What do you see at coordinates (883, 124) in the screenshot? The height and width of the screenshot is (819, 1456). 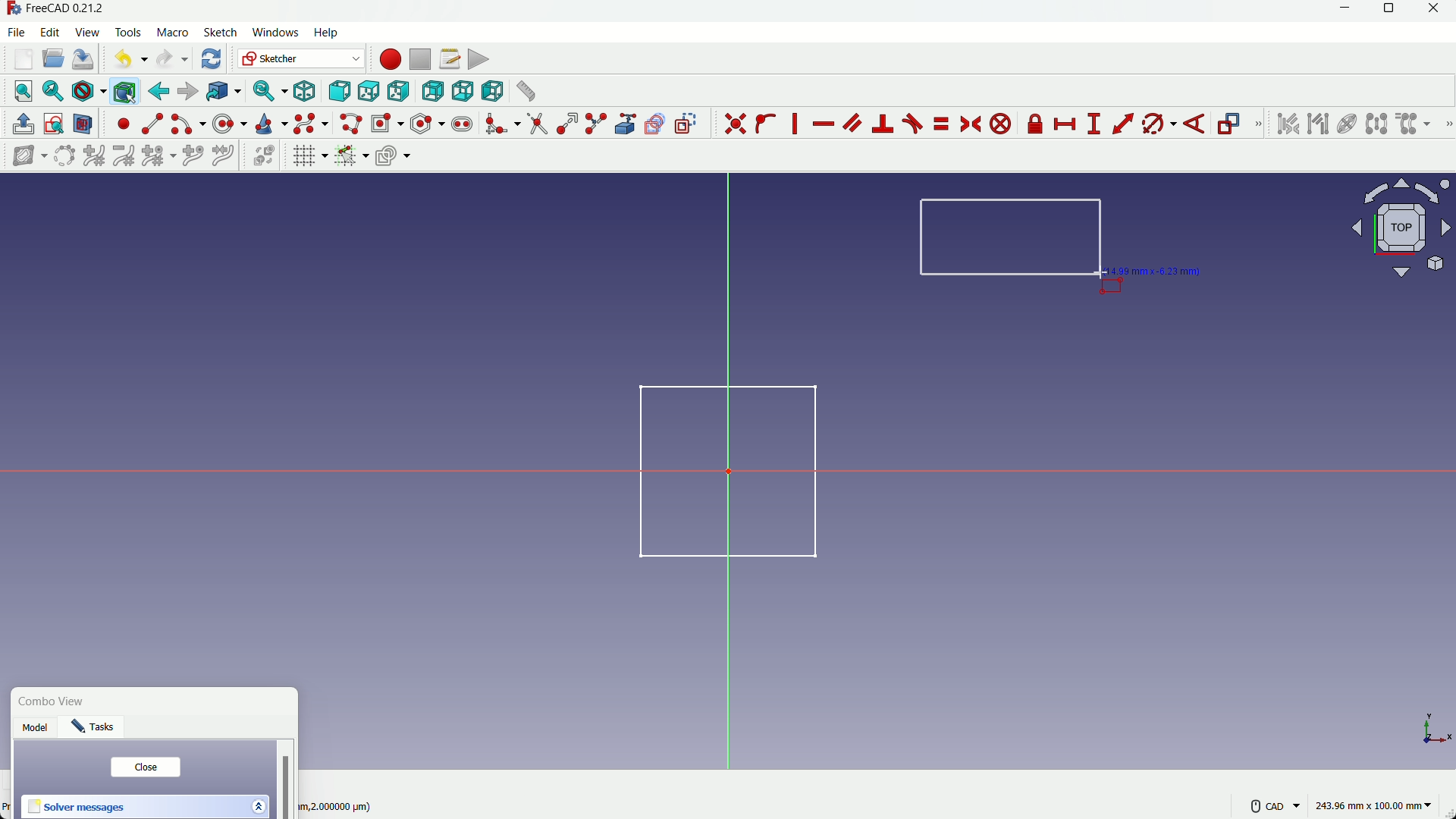 I see `constraint perpendicular` at bounding box center [883, 124].